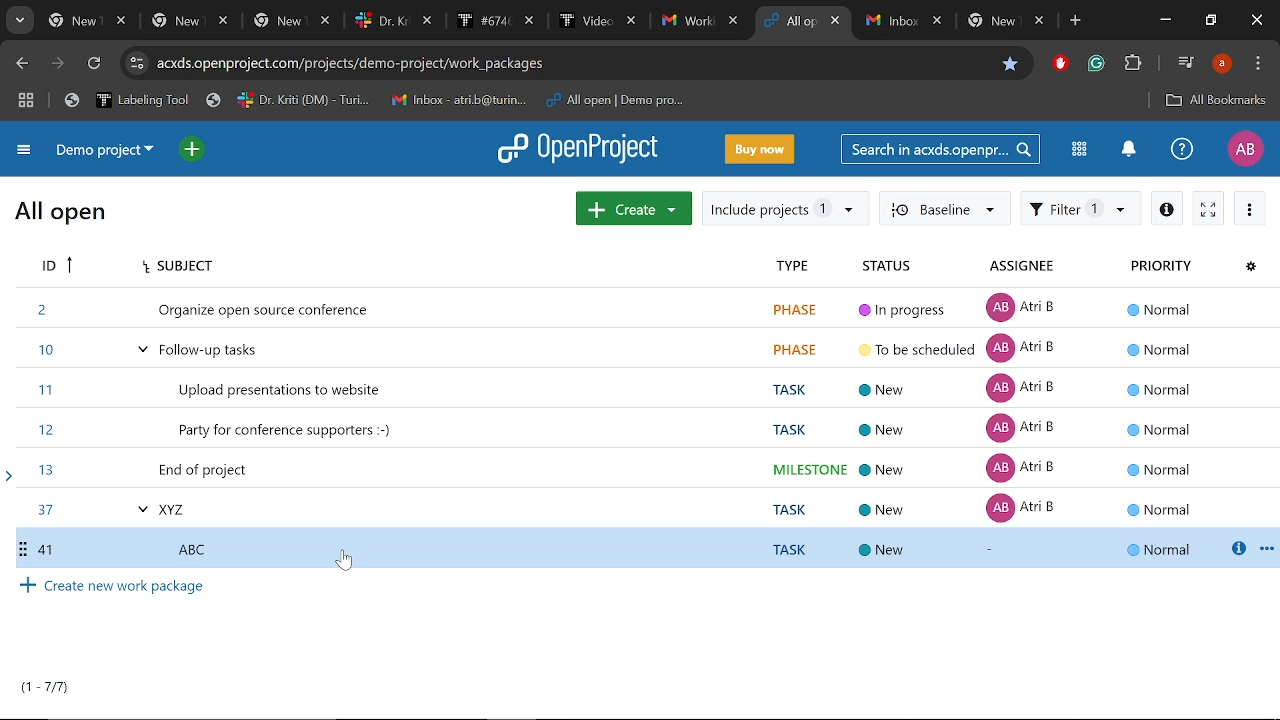 The width and height of the screenshot is (1280, 720). I want to click on Create, so click(633, 208).